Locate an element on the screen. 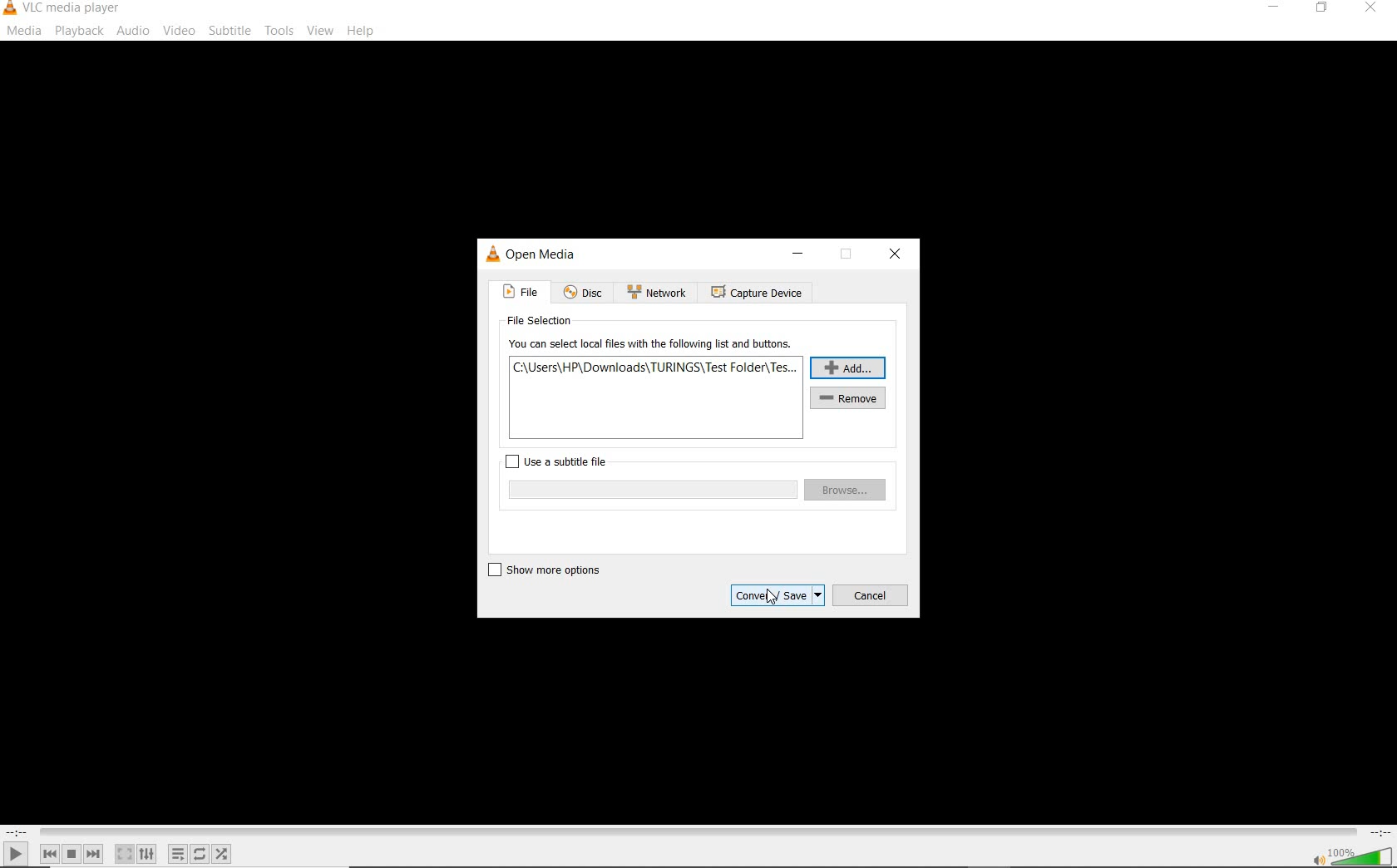 Image resolution: width=1397 pixels, height=868 pixels. file selection is located at coordinates (537, 322).